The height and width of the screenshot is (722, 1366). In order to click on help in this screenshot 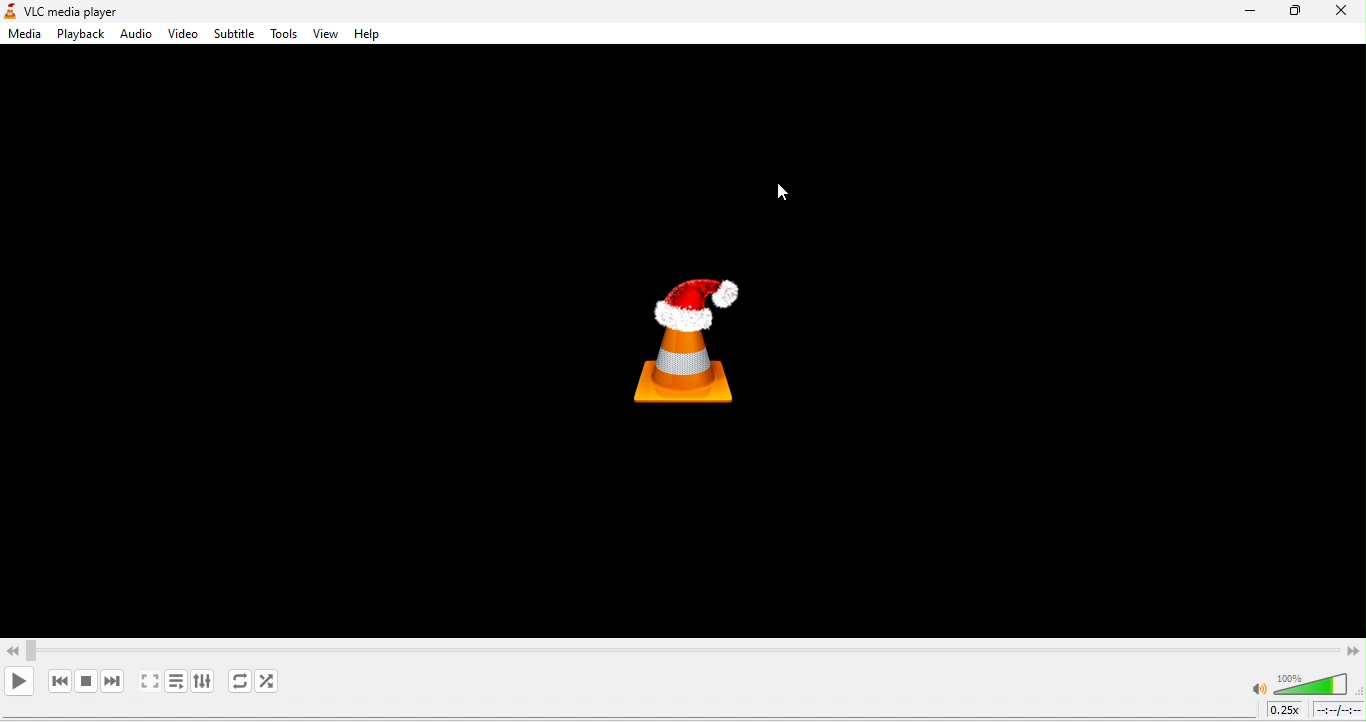, I will do `click(371, 35)`.